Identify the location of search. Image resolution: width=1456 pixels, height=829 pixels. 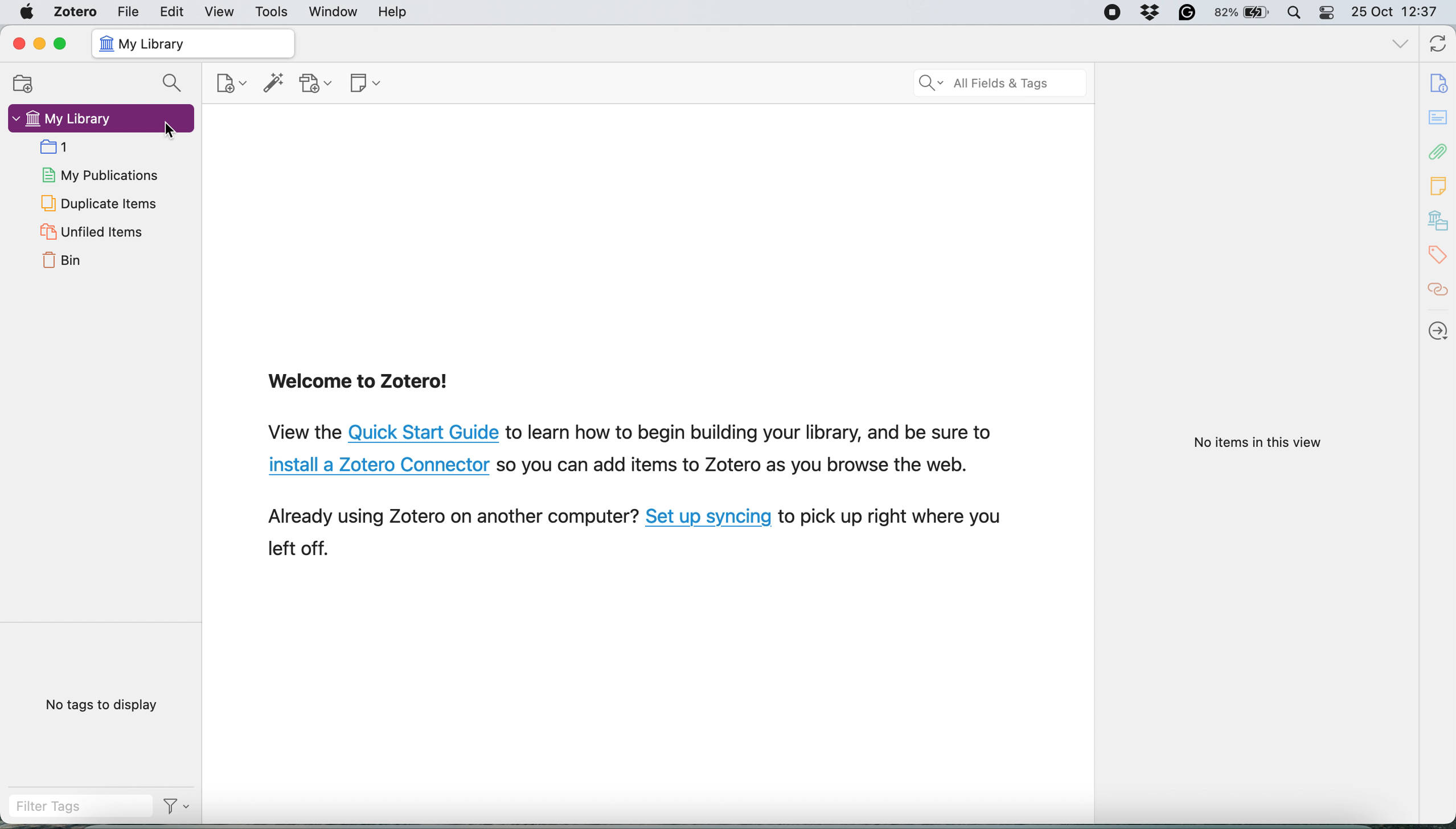
(171, 82).